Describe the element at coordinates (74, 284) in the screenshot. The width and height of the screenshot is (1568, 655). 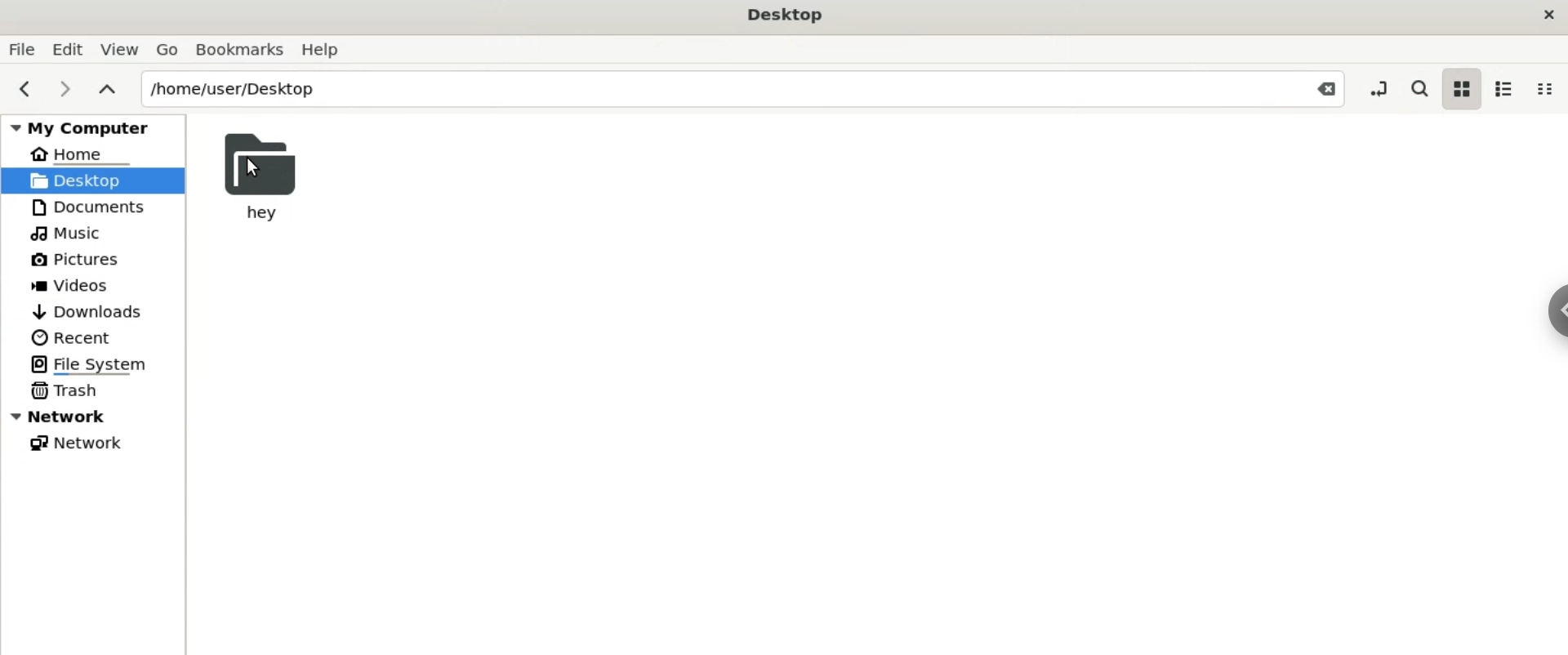
I see `videos` at that location.